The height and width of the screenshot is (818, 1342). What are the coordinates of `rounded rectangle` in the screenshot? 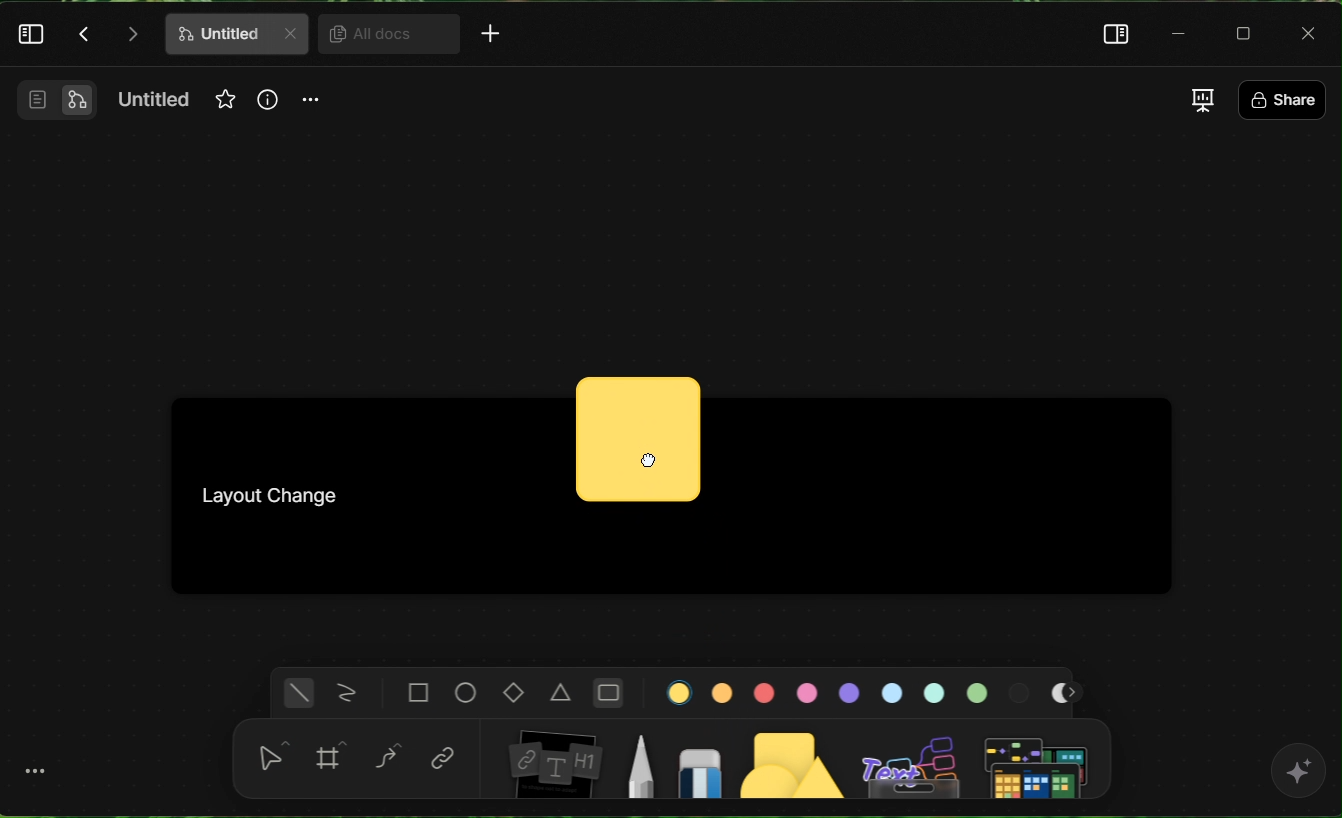 It's located at (608, 690).